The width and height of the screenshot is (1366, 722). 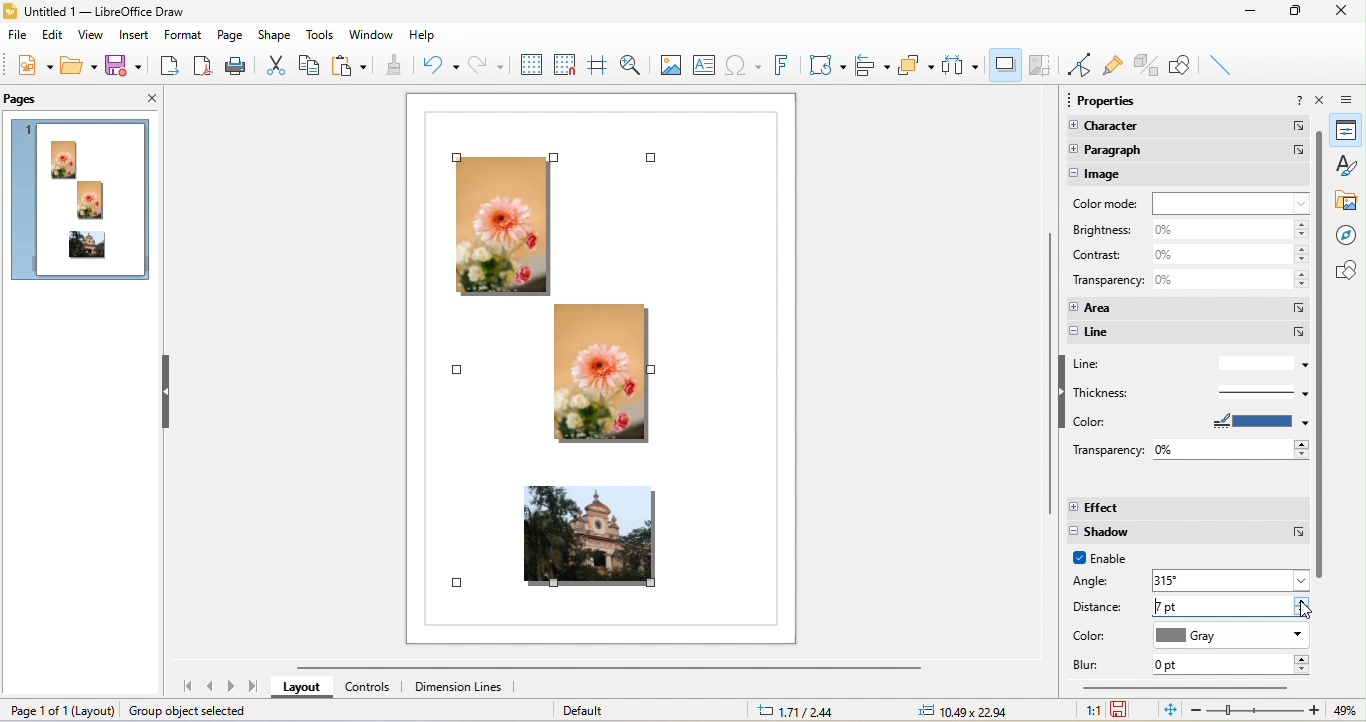 What do you see at coordinates (1320, 355) in the screenshot?
I see `vertical scroll bar` at bounding box center [1320, 355].